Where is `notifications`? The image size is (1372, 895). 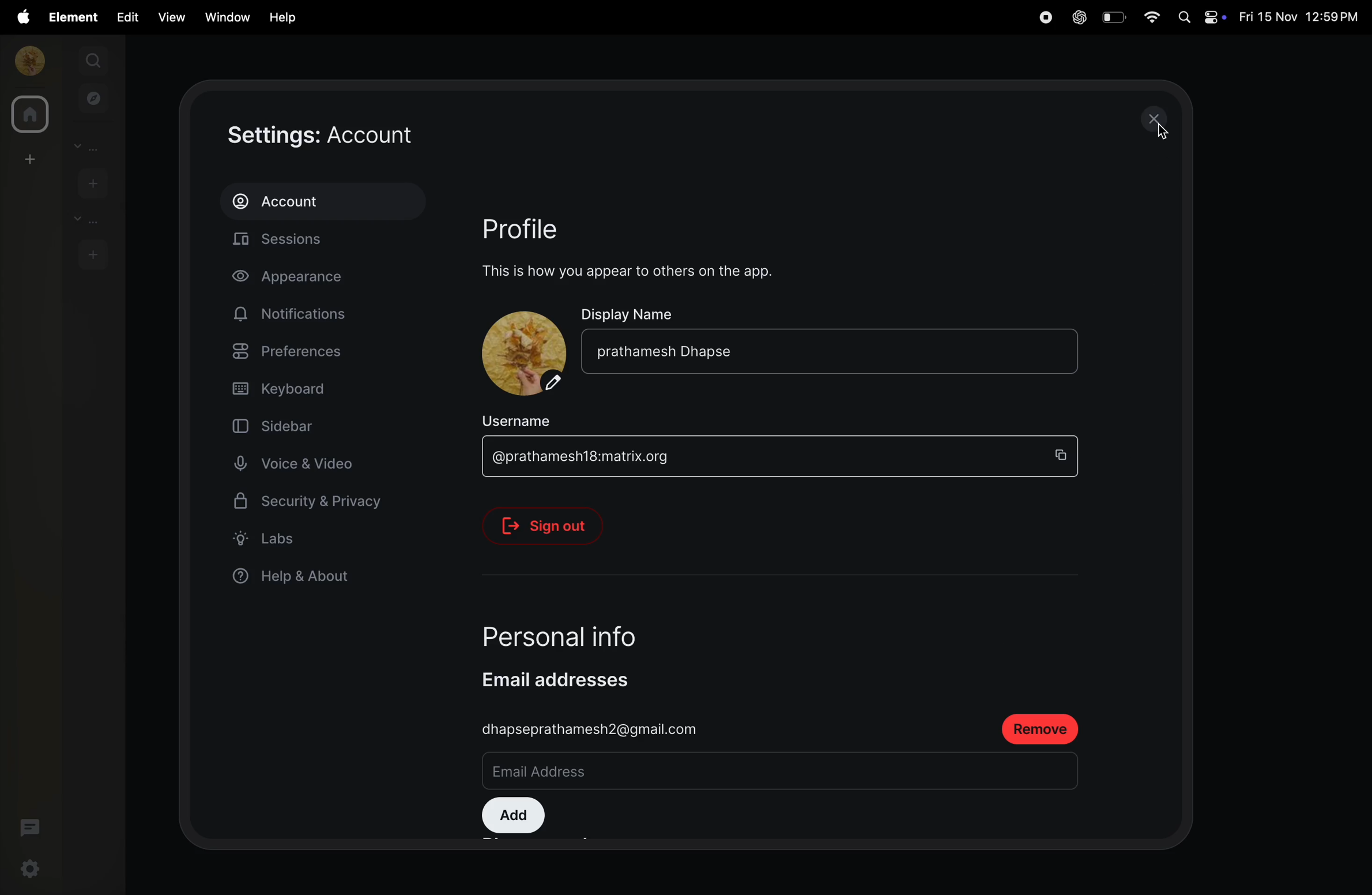
notifications is located at coordinates (295, 314).